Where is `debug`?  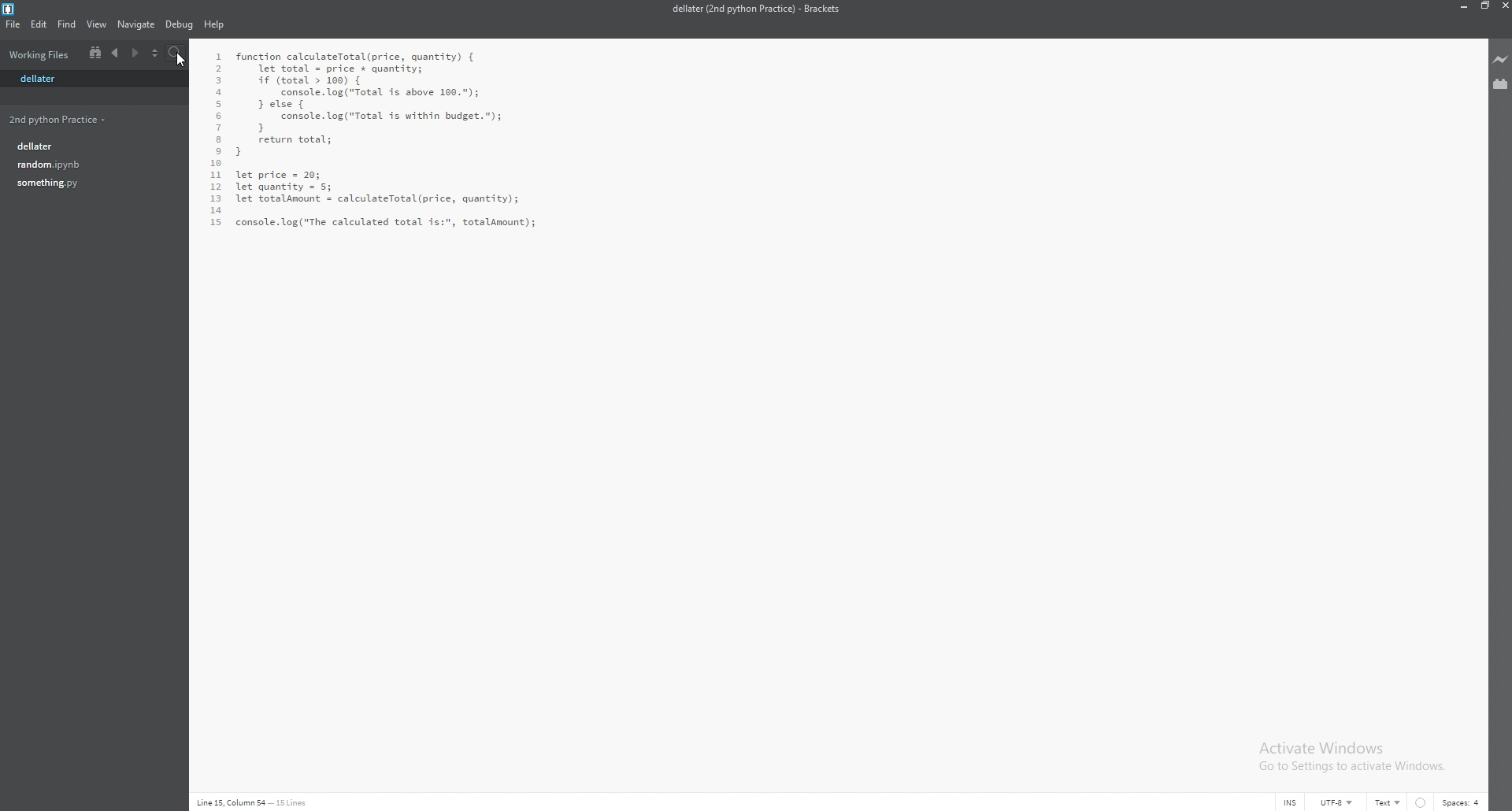
debug is located at coordinates (180, 24).